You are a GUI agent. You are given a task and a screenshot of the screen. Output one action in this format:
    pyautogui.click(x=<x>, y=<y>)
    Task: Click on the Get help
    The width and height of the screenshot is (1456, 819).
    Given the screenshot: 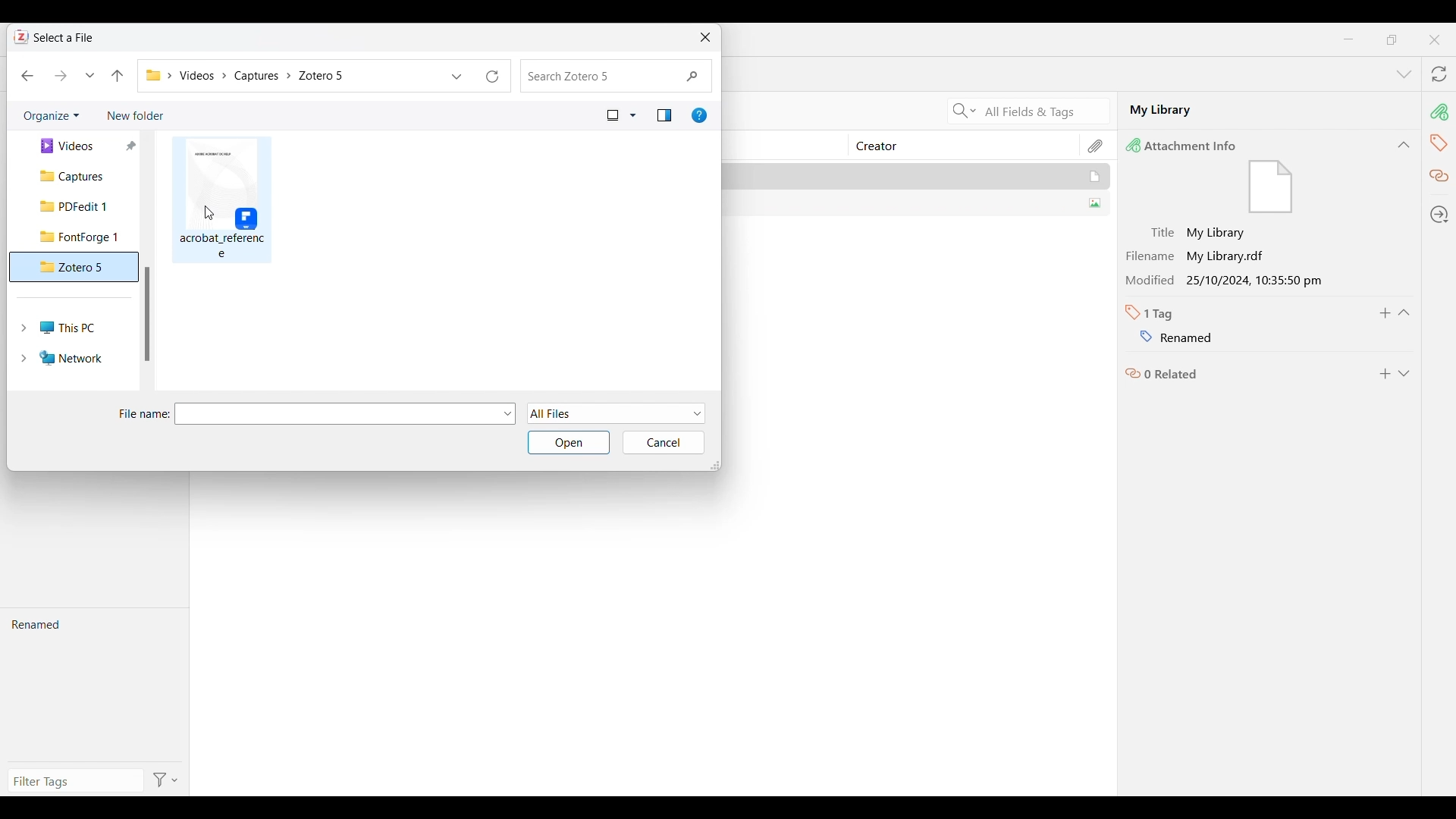 What is the action you would take?
    pyautogui.click(x=699, y=115)
    